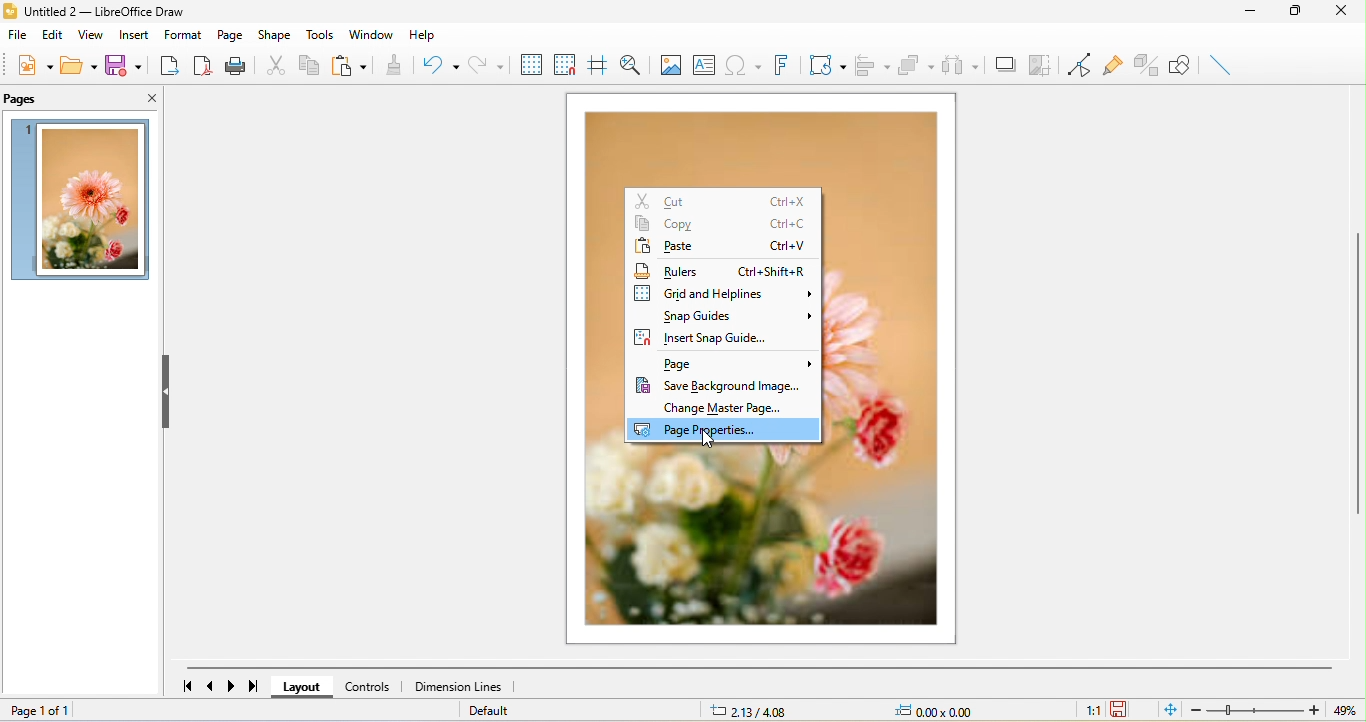 This screenshot has width=1366, height=722. What do you see at coordinates (272, 64) in the screenshot?
I see `cut` at bounding box center [272, 64].